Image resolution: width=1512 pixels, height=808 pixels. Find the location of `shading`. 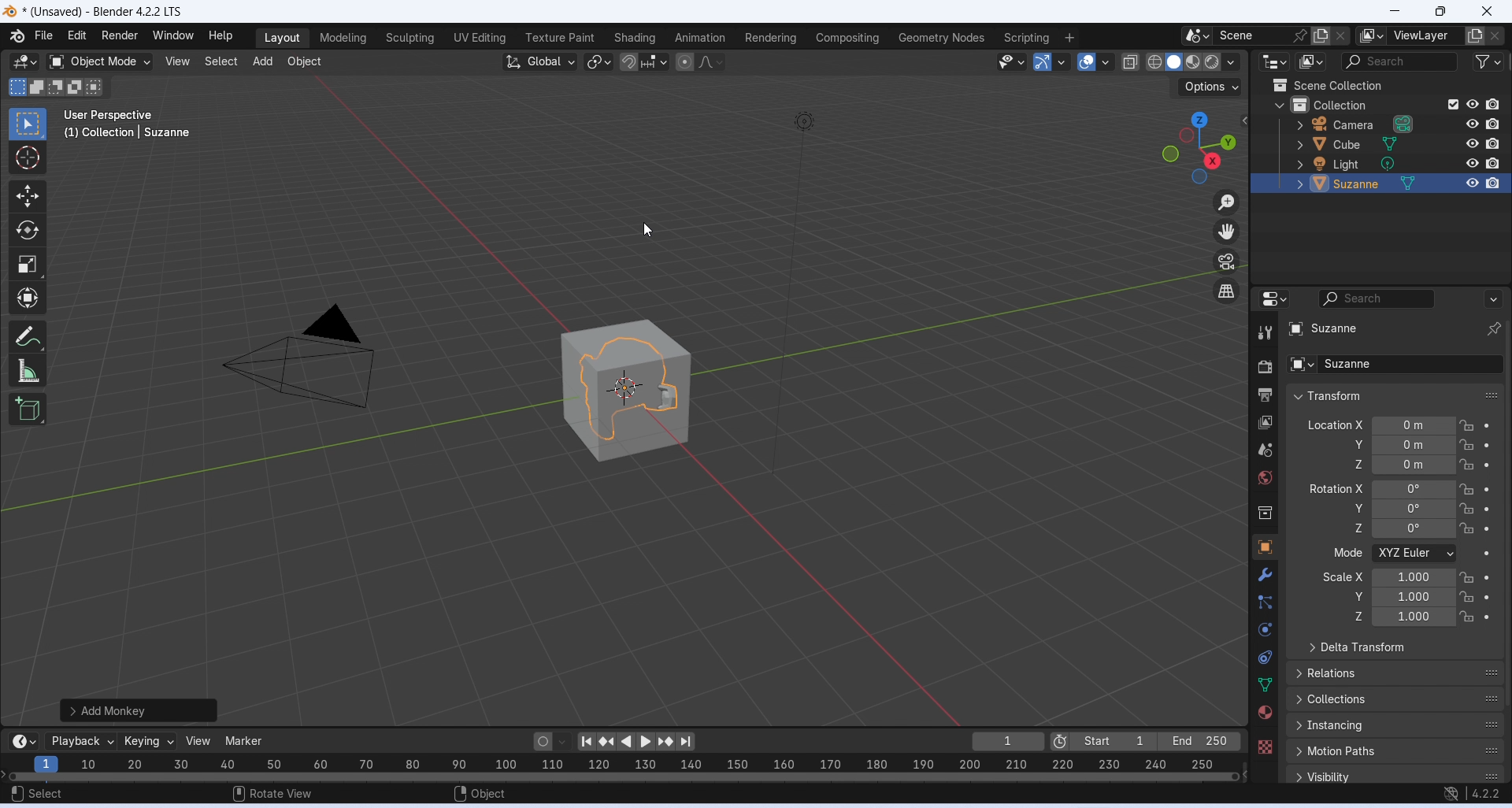

shading is located at coordinates (1232, 62).